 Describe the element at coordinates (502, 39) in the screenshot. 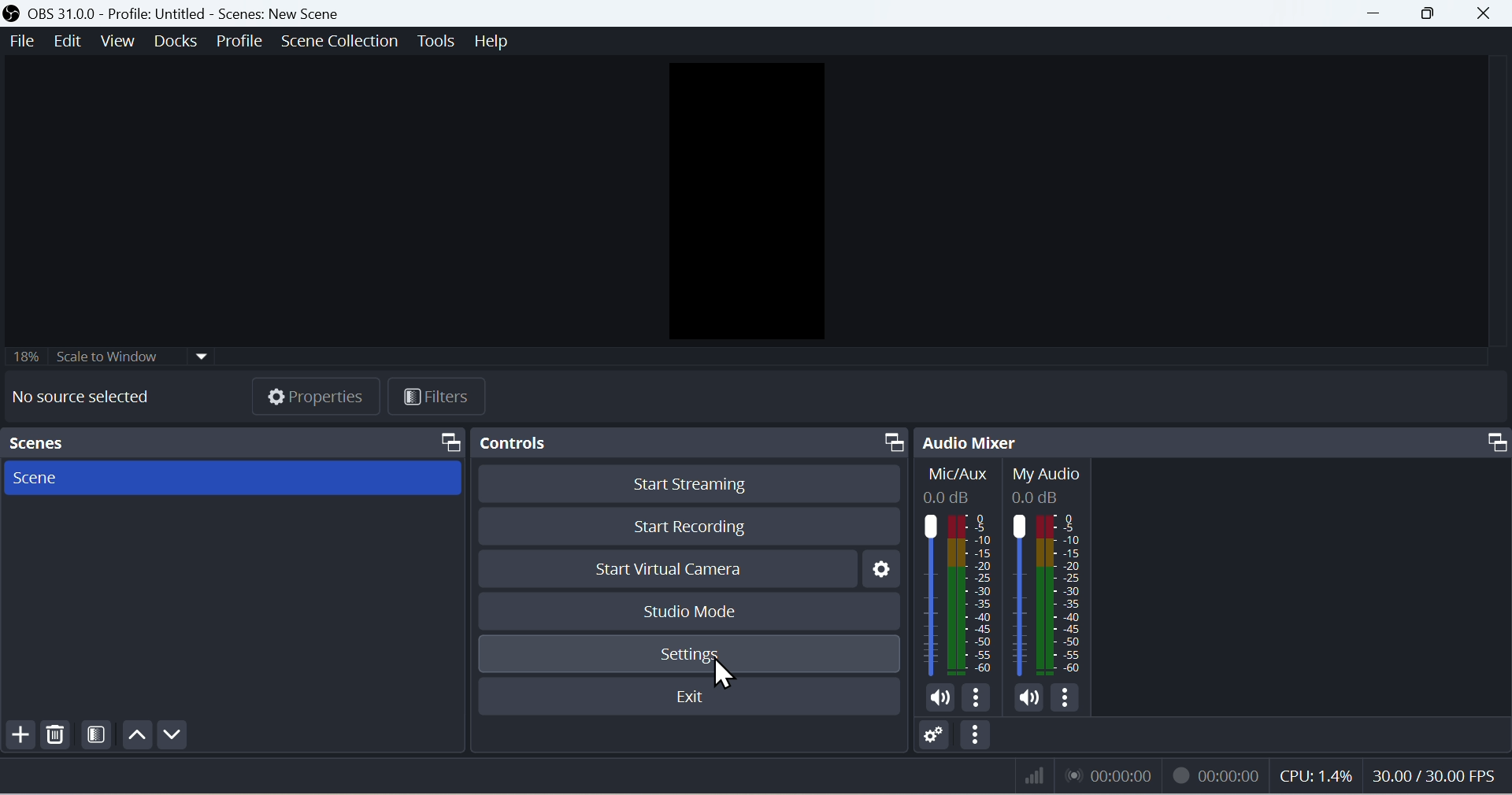

I see `help` at that location.